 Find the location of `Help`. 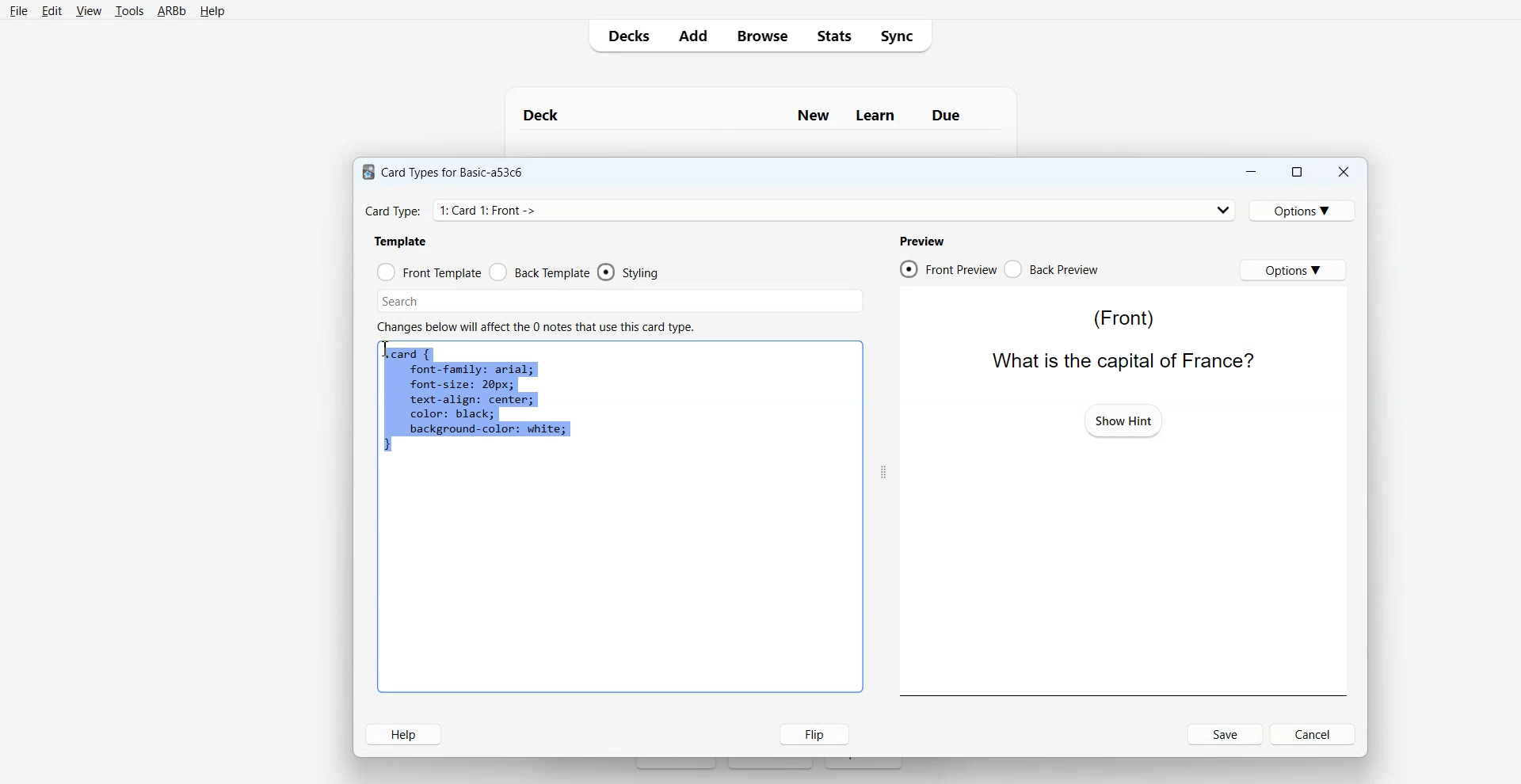

Help is located at coordinates (212, 12).